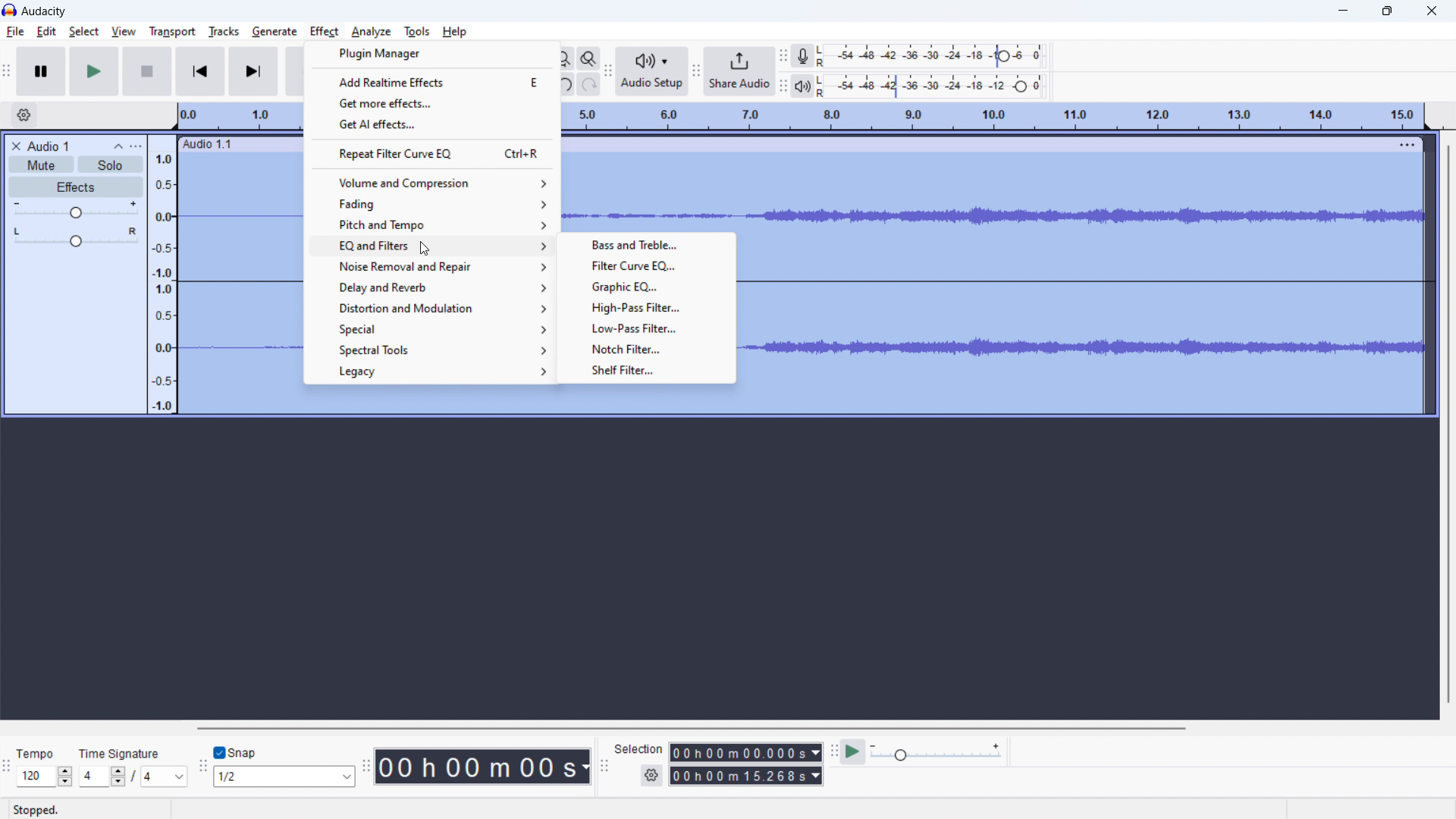 The width and height of the screenshot is (1456, 819). I want to click on play at speed, so click(854, 752).